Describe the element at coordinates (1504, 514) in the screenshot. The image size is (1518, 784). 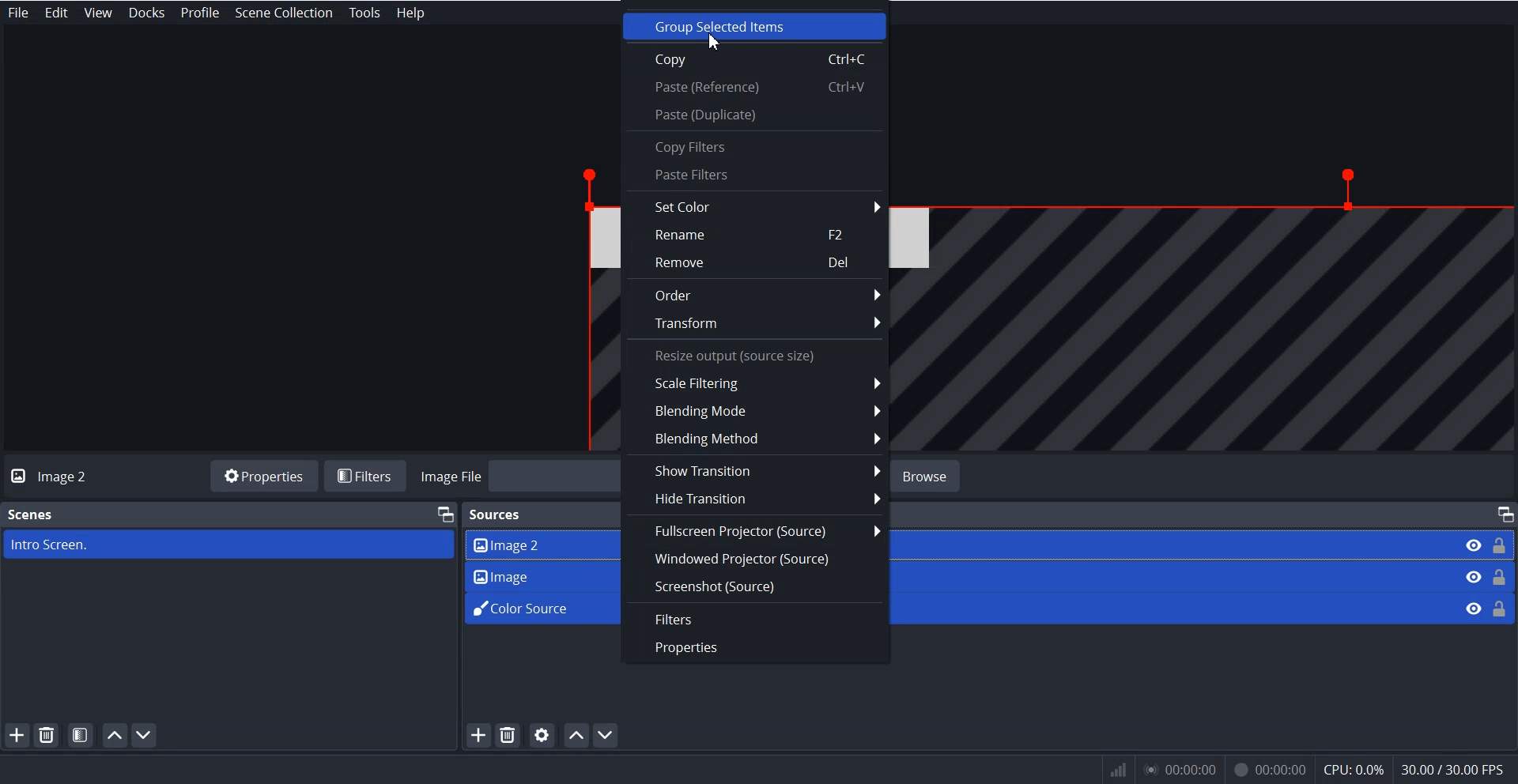
I see `Maximize` at that location.